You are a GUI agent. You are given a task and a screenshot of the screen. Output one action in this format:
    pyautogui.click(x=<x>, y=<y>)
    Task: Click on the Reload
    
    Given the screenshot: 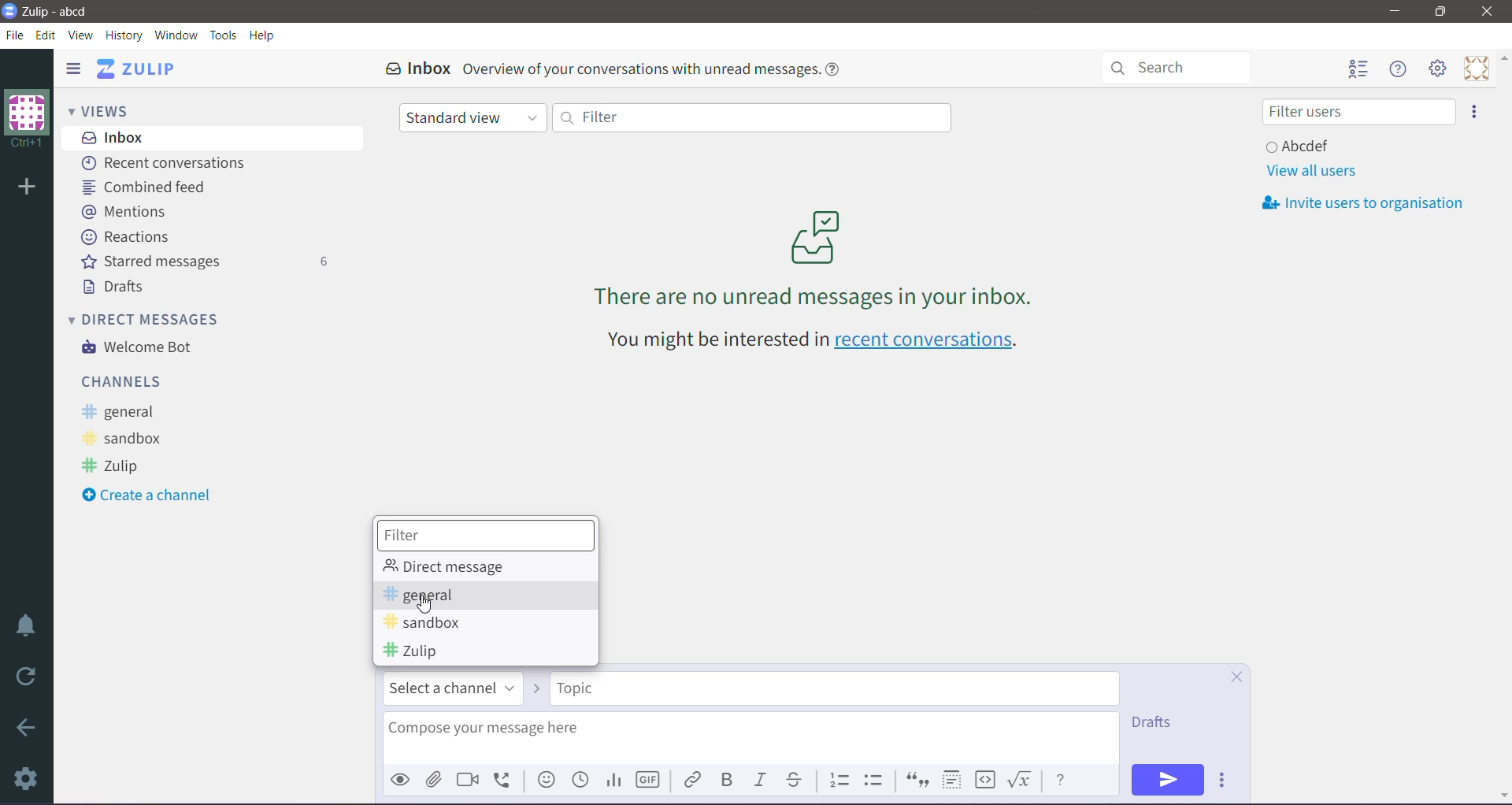 What is the action you would take?
    pyautogui.click(x=29, y=677)
    